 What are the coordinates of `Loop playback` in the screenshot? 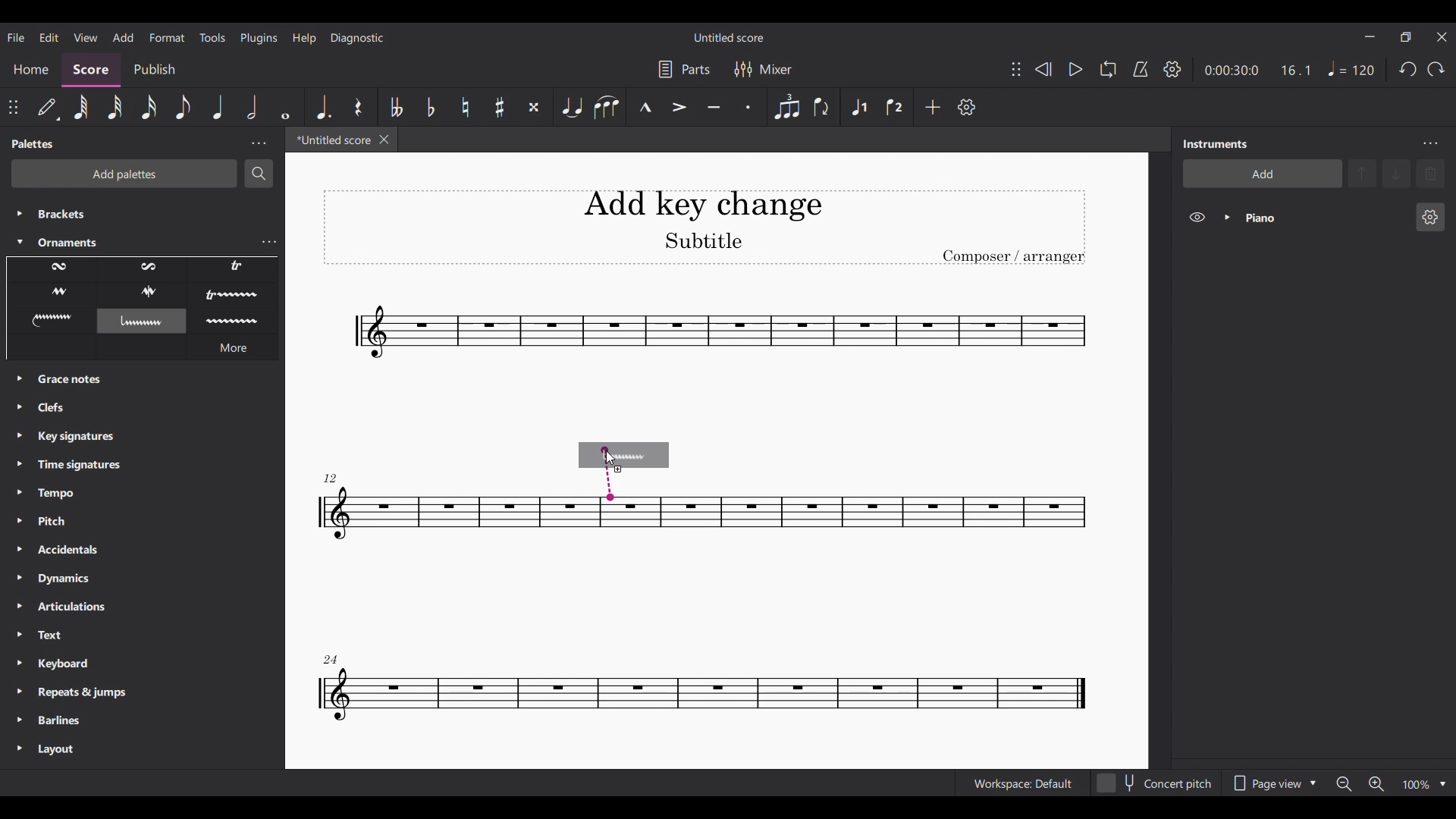 It's located at (1108, 69).